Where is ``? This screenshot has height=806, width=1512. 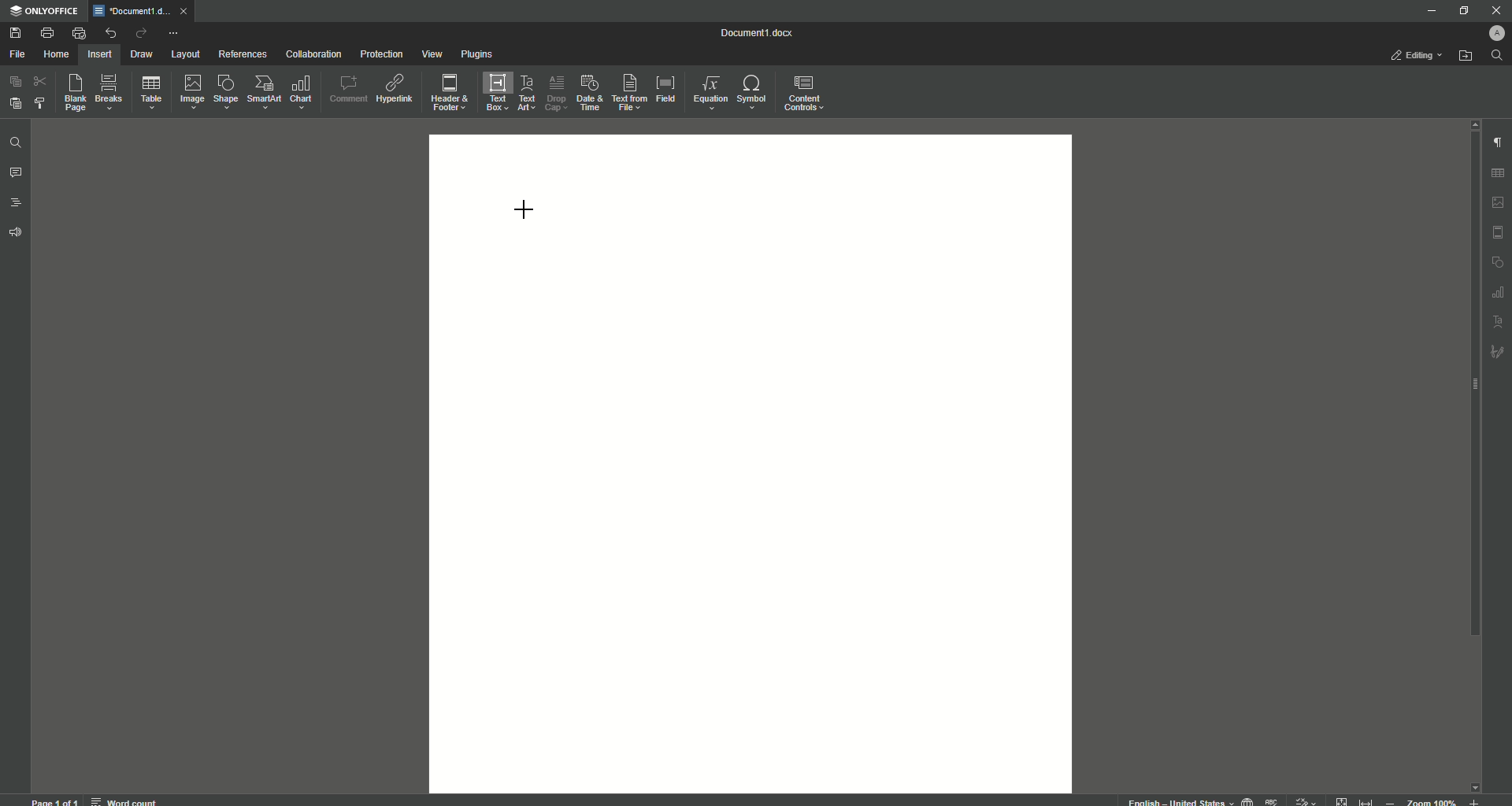
 is located at coordinates (381, 56).